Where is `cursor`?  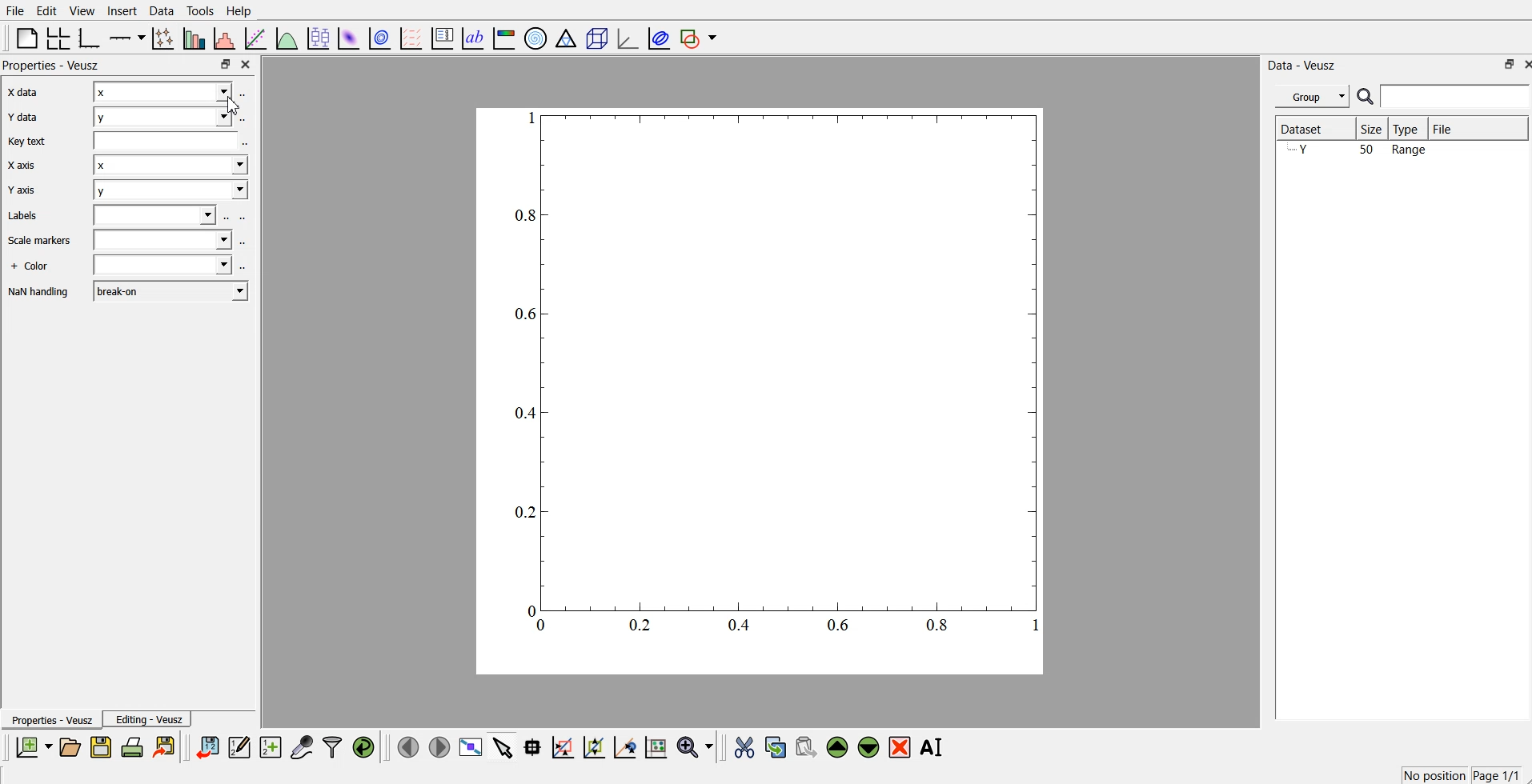 cursor is located at coordinates (238, 106).